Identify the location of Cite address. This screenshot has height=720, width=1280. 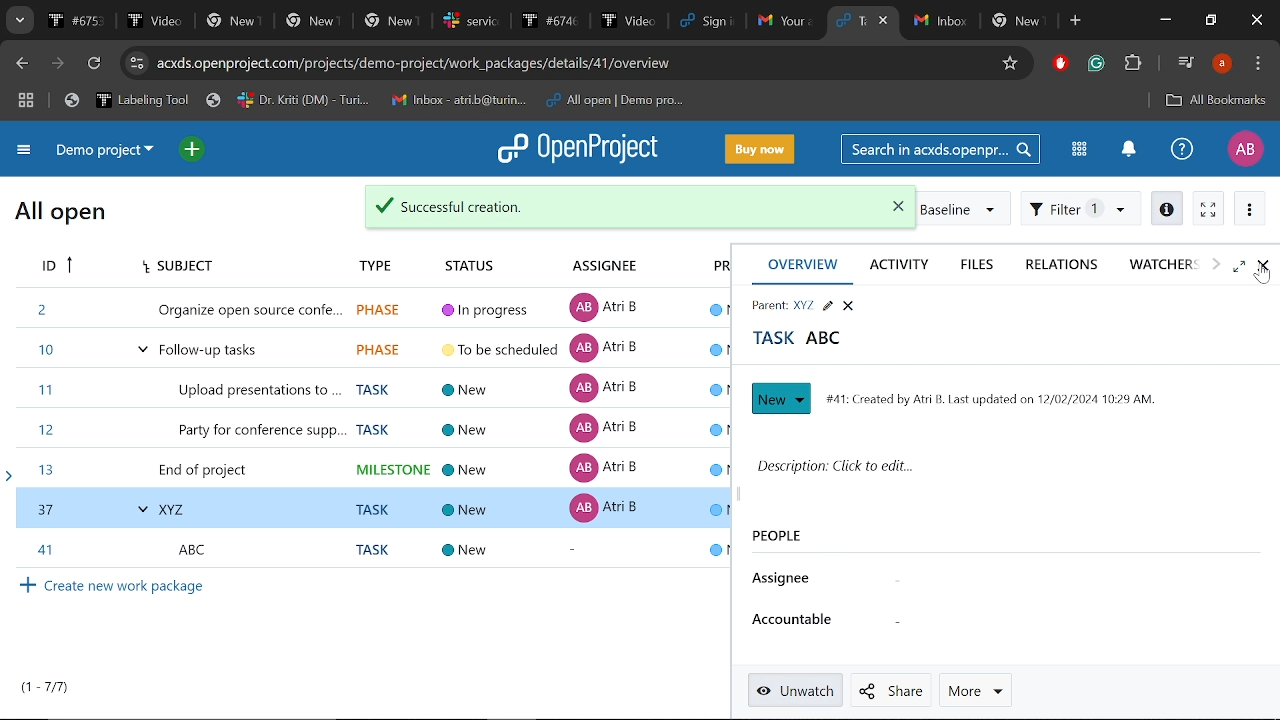
(464, 65).